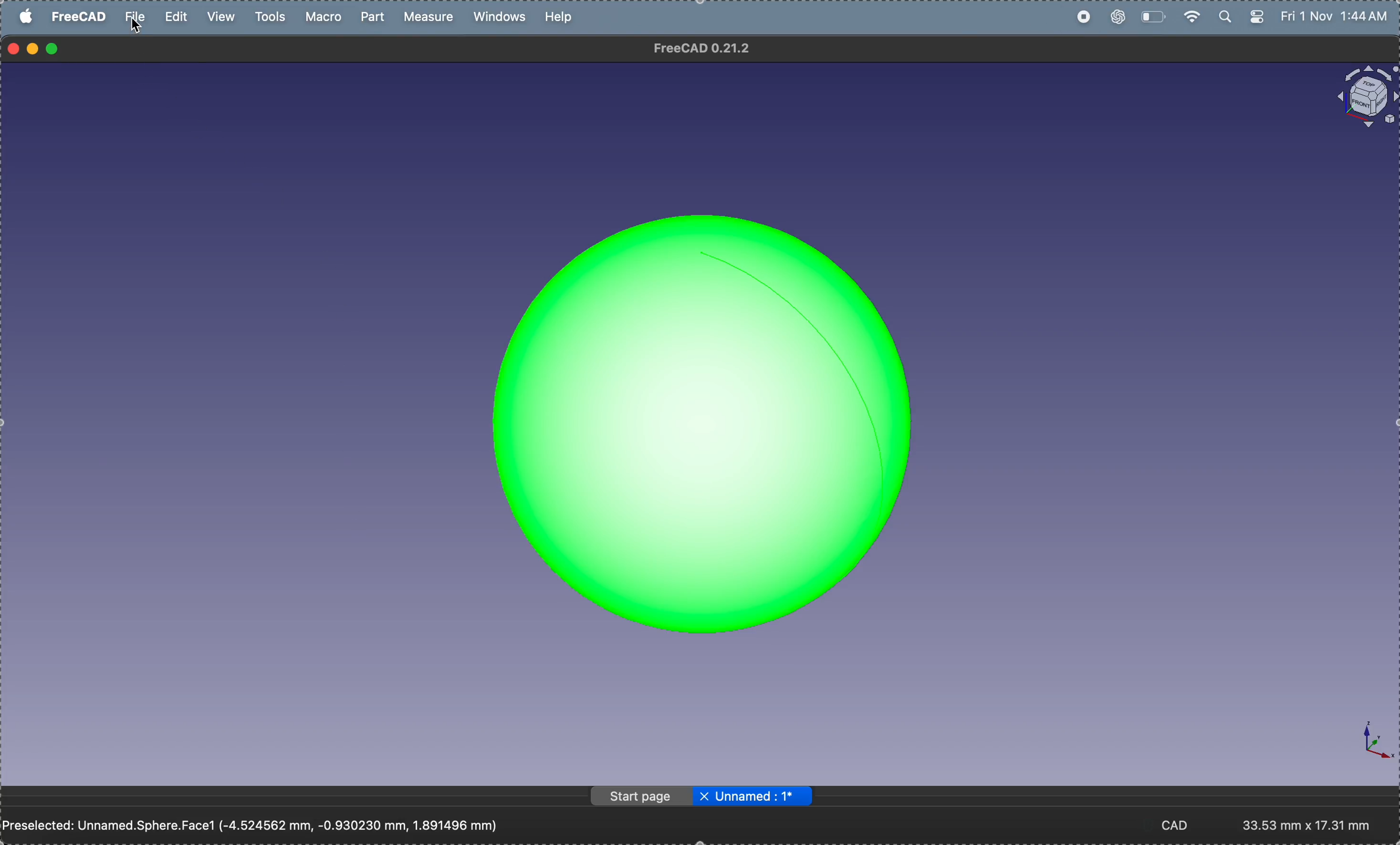 Image resolution: width=1400 pixels, height=845 pixels. What do you see at coordinates (327, 17) in the screenshot?
I see `marco` at bounding box center [327, 17].